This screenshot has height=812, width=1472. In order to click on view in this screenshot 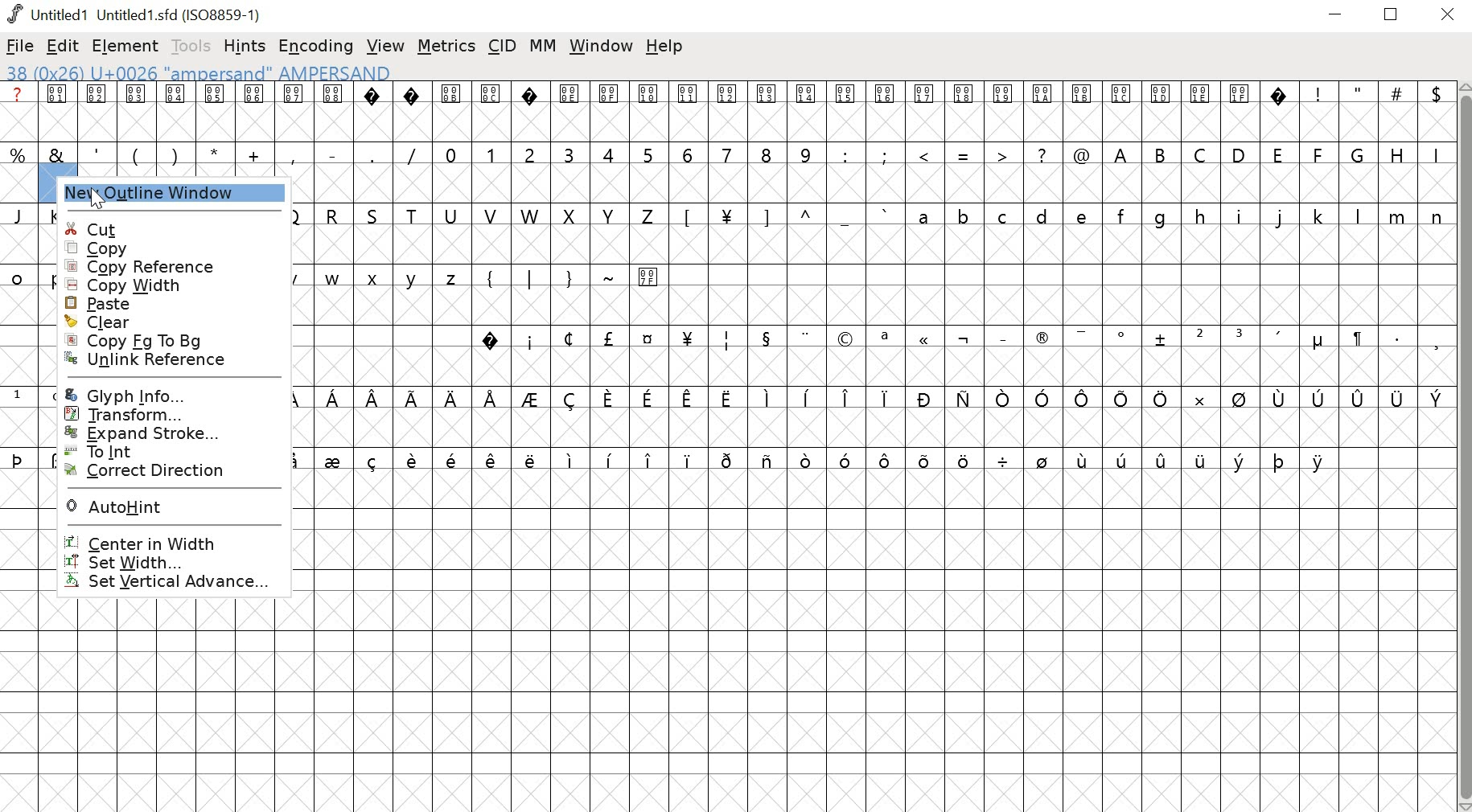, I will do `click(386, 43)`.